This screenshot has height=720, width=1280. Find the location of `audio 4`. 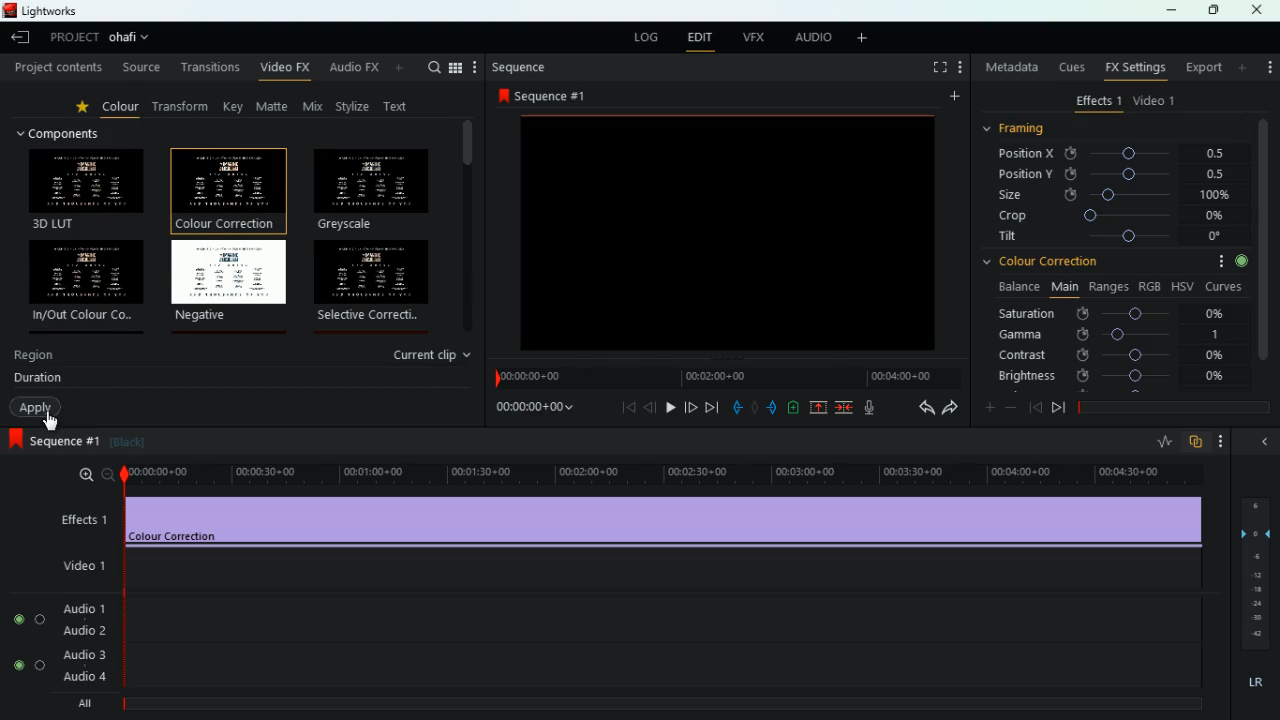

audio 4 is located at coordinates (84, 673).